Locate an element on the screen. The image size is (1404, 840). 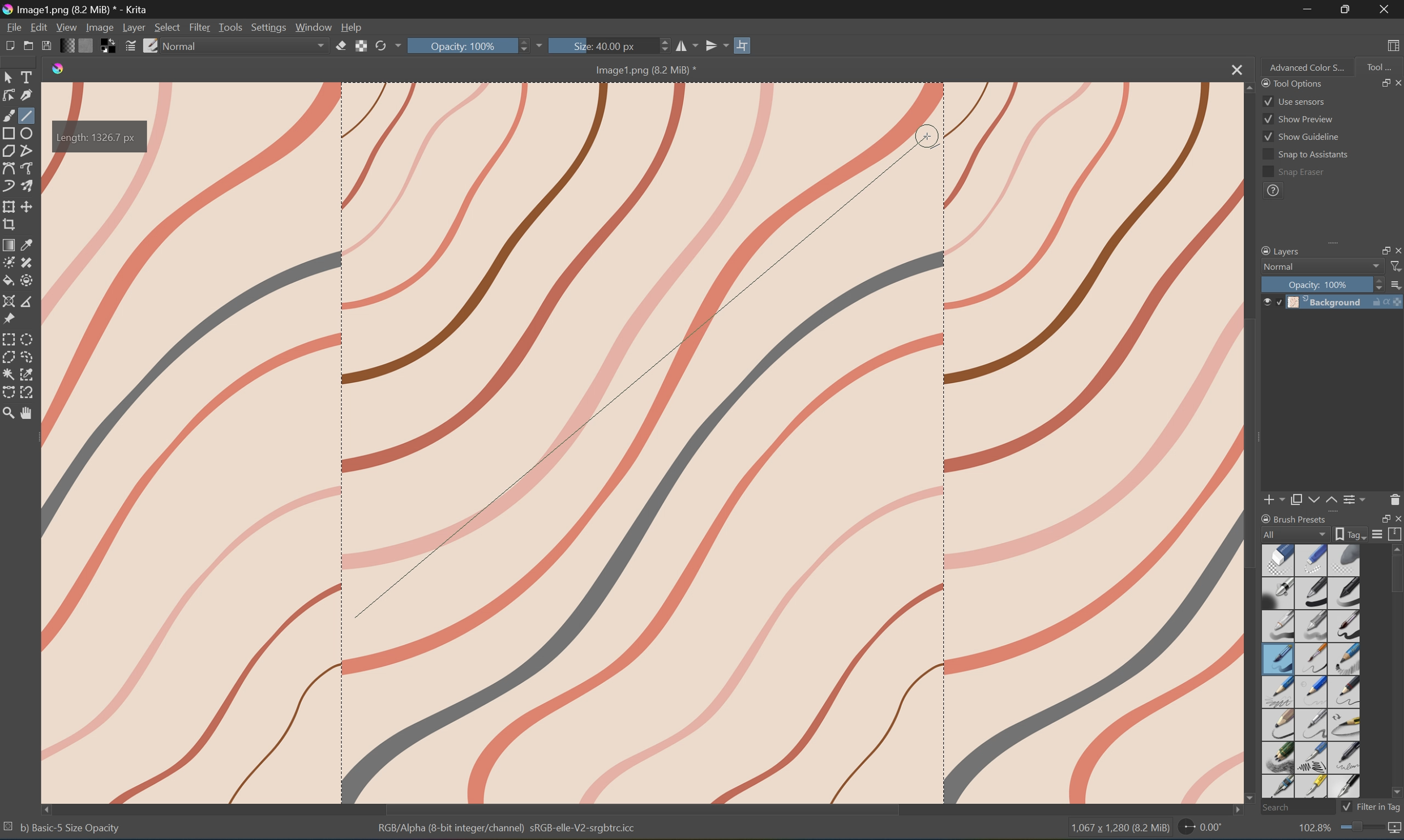
Tools is located at coordinates (232, 27).